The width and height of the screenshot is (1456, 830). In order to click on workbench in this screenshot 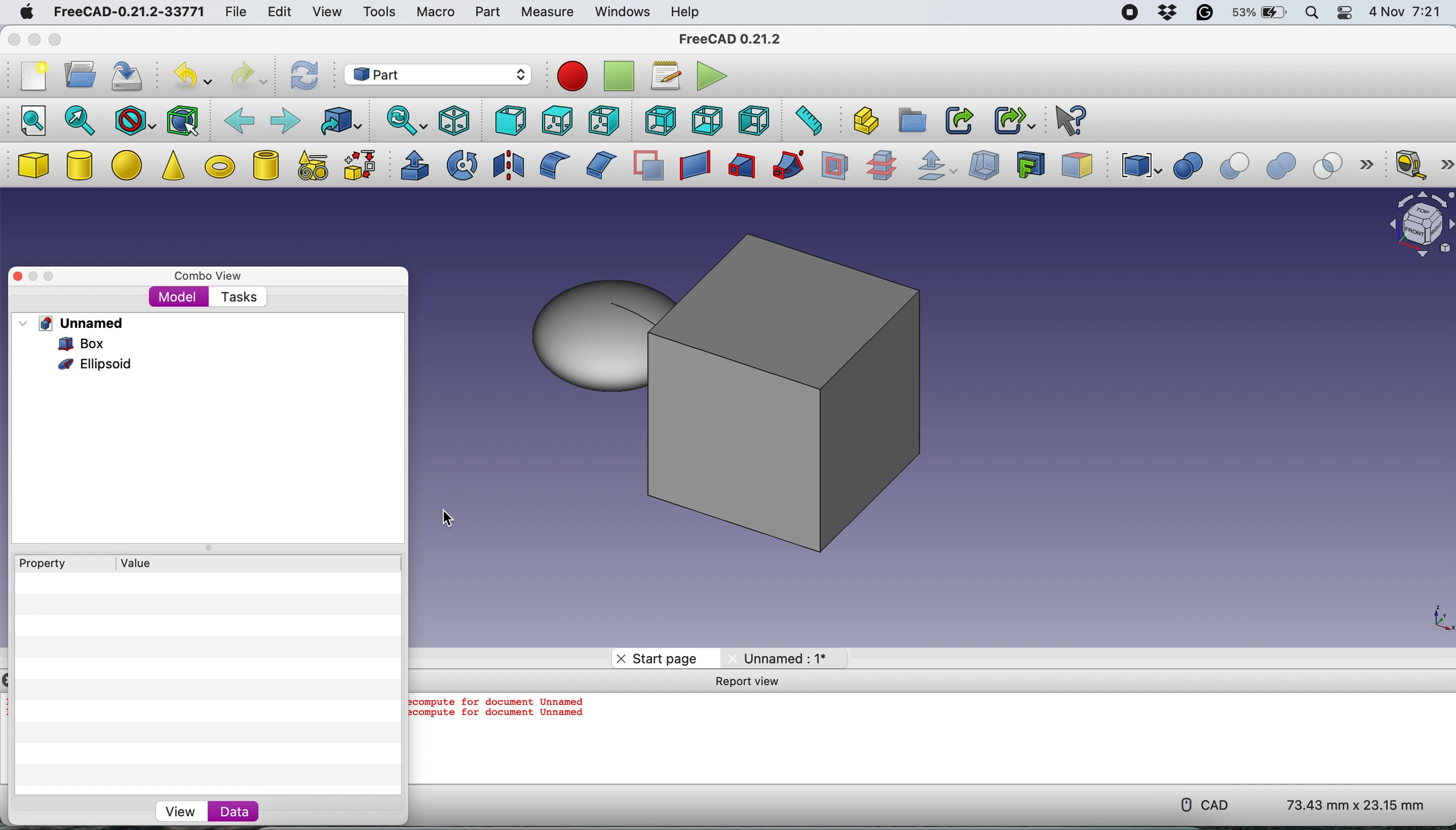, I will do `click(437, 74)`.